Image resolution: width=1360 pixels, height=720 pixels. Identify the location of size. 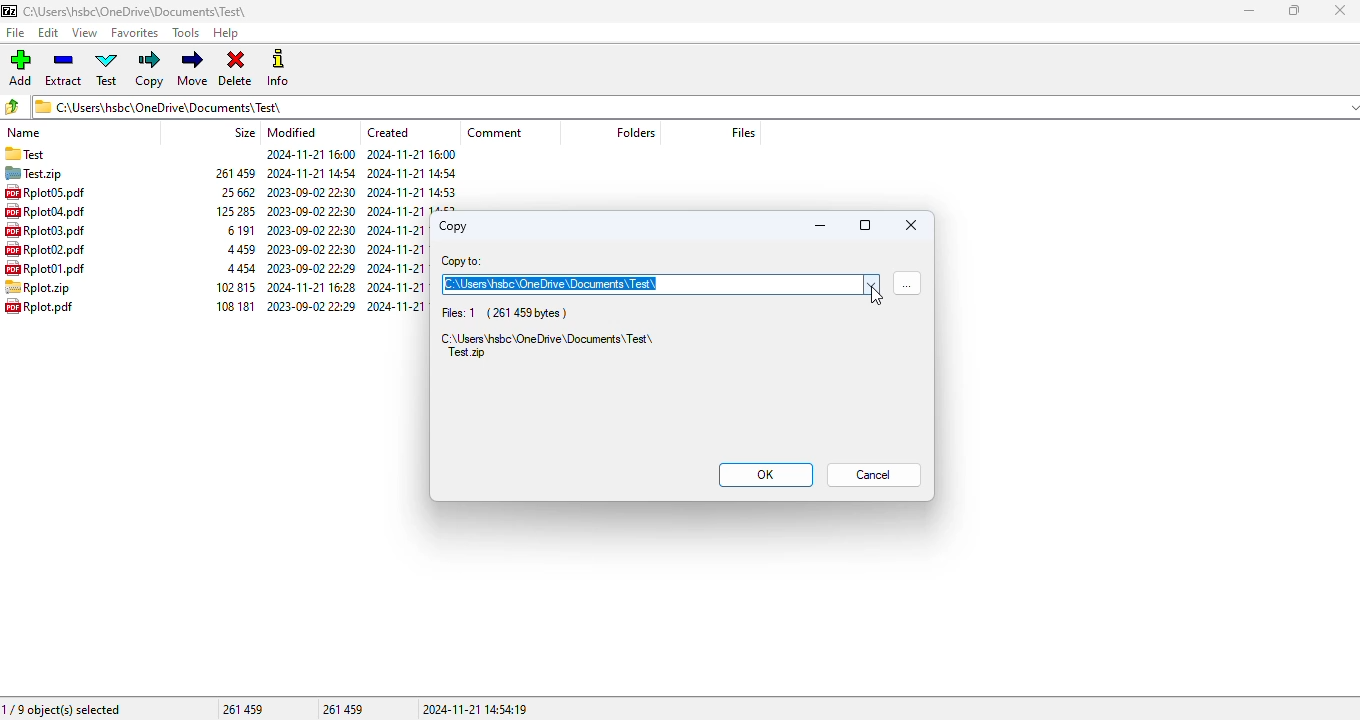
(236, 287).